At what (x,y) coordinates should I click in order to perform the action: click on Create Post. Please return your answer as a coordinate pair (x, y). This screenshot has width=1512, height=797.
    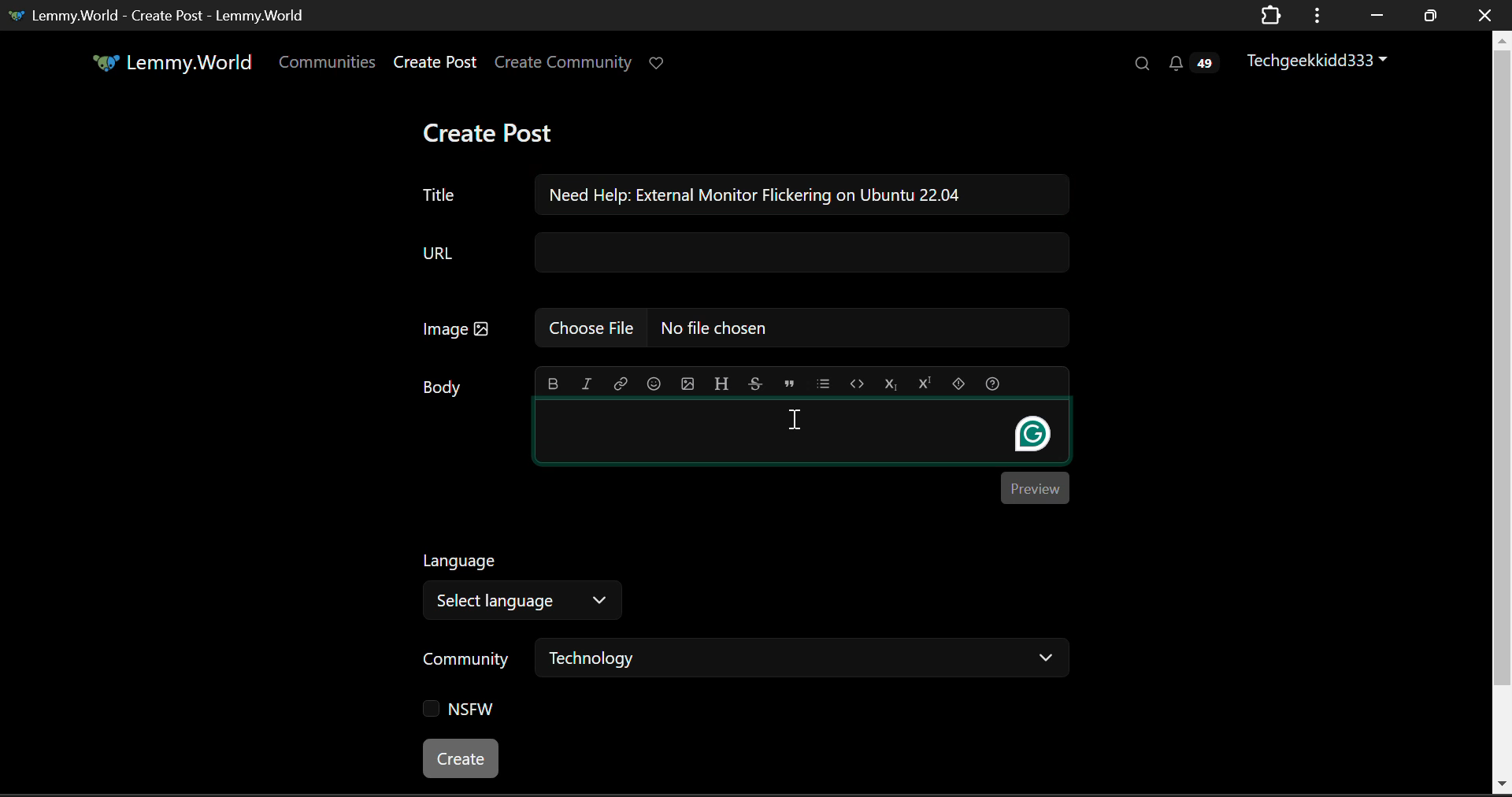
    Looking at the image, I should click on (492, 129).